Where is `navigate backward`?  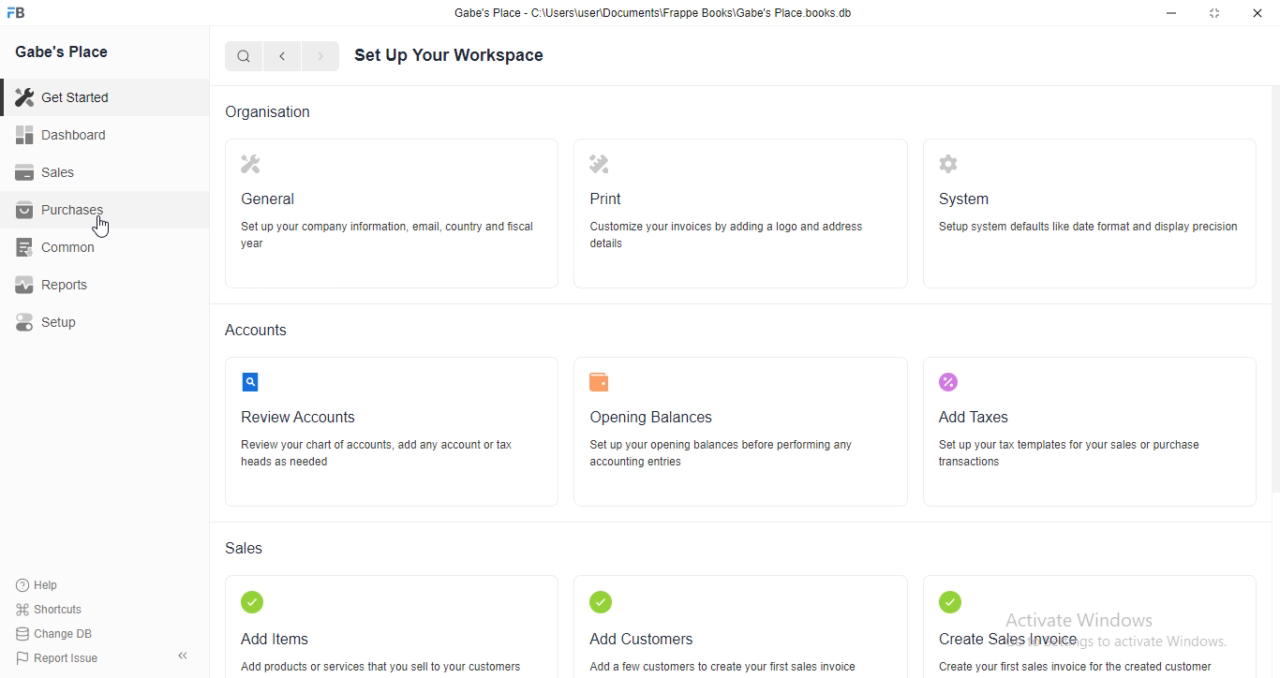
navigate backward is located at coordinates (286, 58).